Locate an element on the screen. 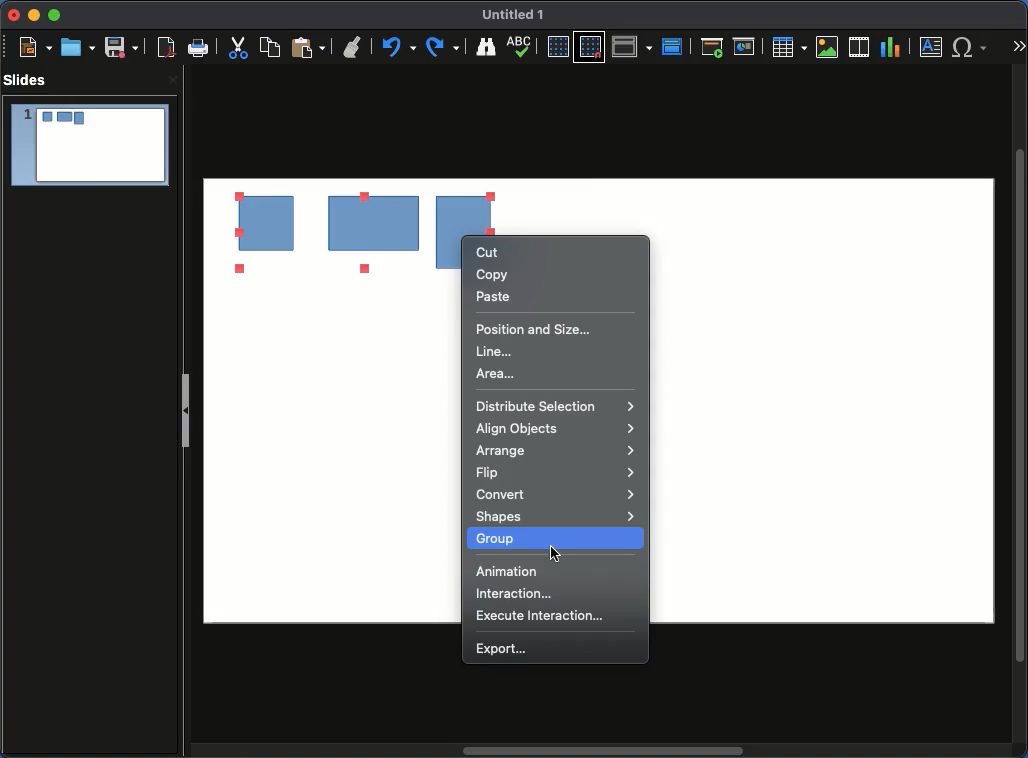 The height and width of the screenshot is (758, 1028). Slide is located at coordinates (89, 146).